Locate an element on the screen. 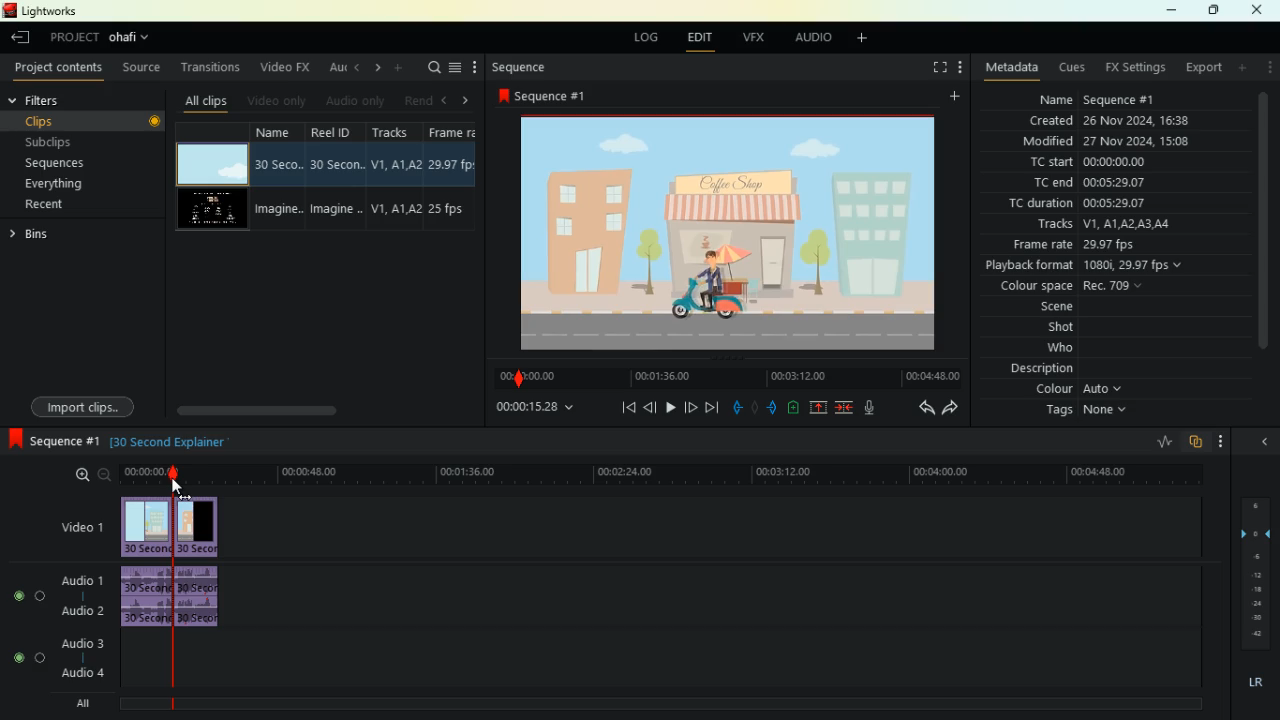 The height and width of the screenshot is (720, 1280). audio is located at coordinates (819, 38).